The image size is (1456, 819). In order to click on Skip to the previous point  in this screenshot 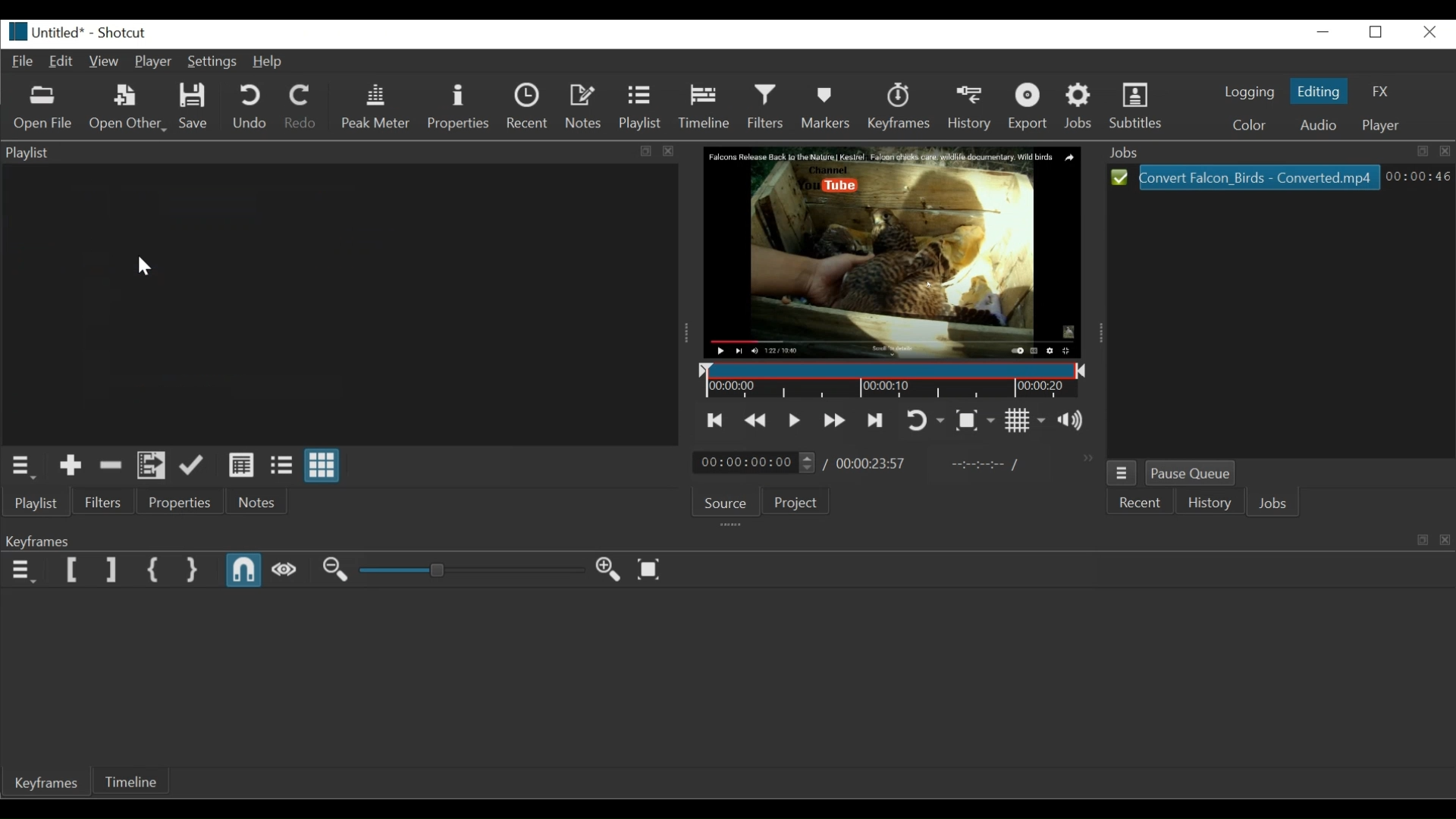, I will do `click(712, 419)`.